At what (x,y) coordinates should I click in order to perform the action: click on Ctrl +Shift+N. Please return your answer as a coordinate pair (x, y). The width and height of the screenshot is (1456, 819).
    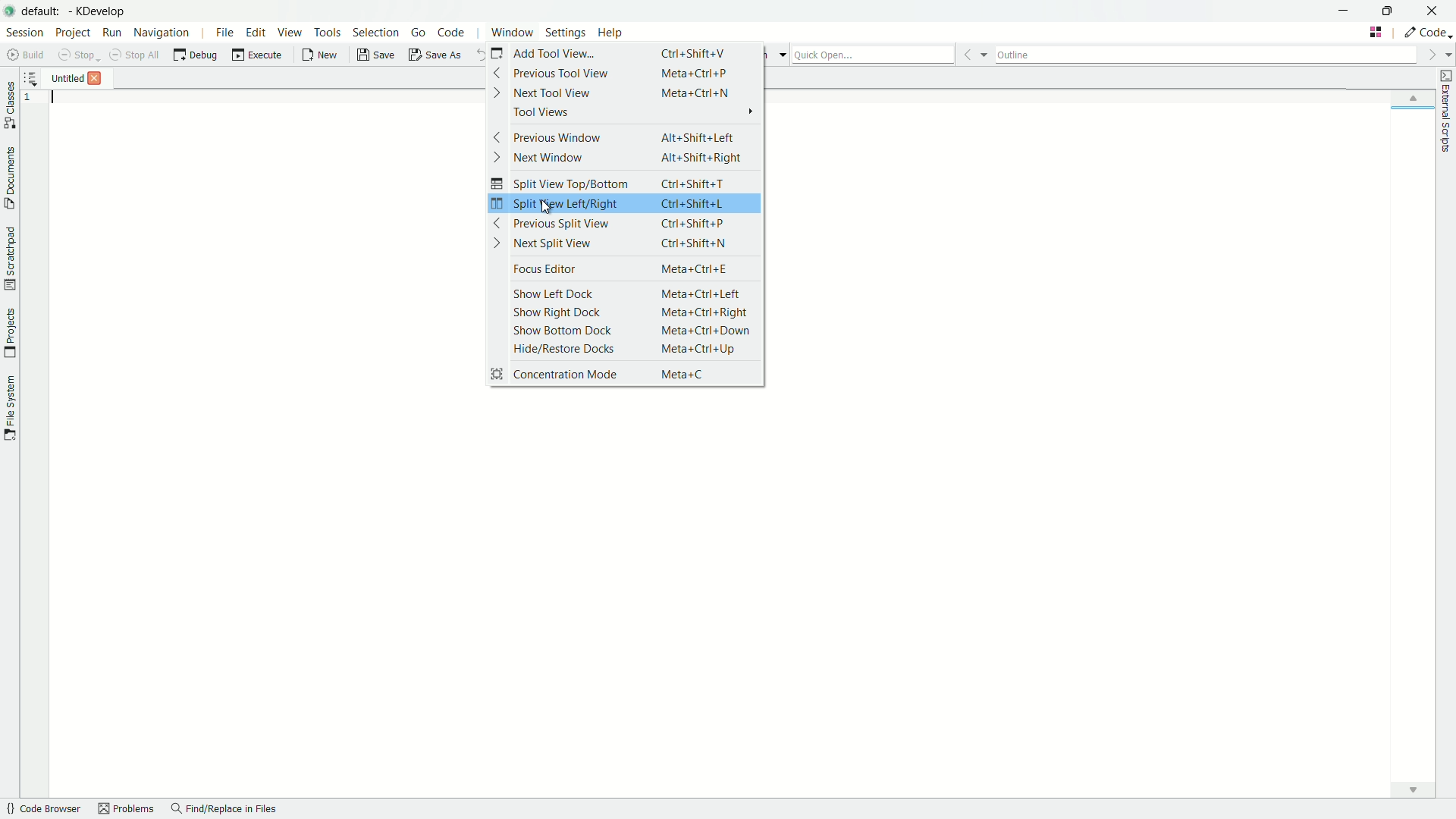
    Looking at the image, I should click on (697, 244).